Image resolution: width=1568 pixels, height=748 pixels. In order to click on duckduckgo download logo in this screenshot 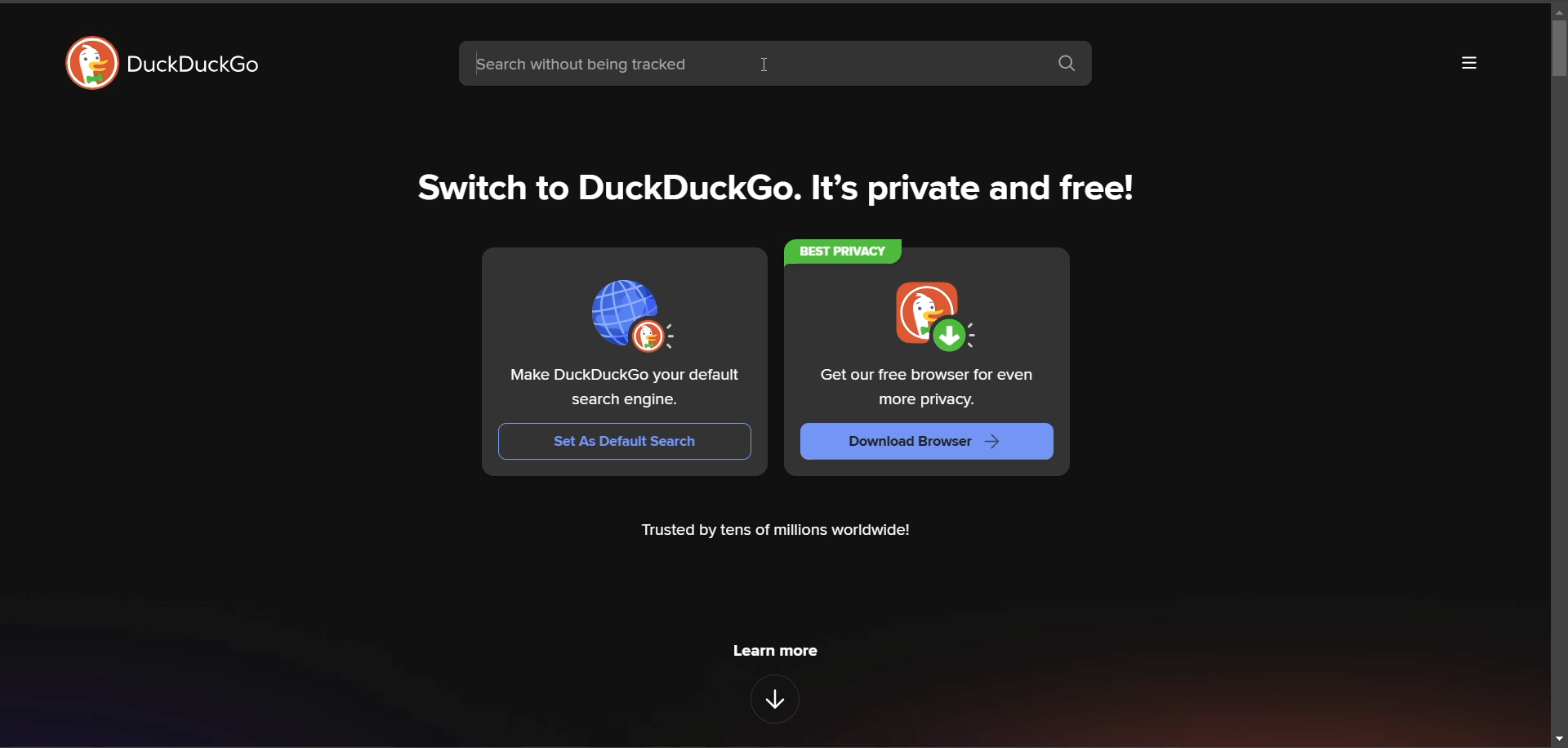, I will do `click(938, 315)`.